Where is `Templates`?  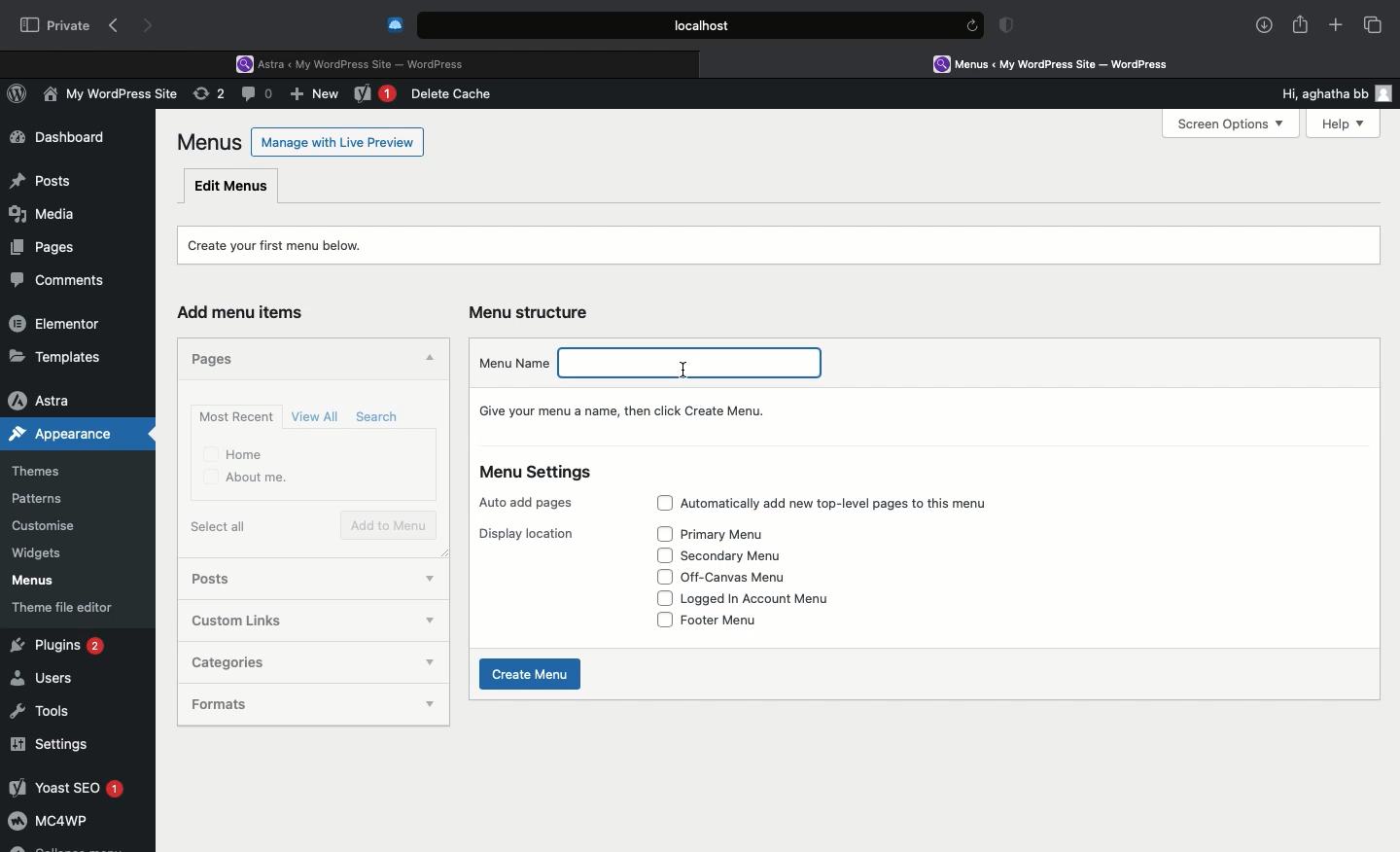 Templates is located at coordinates (56, 356).